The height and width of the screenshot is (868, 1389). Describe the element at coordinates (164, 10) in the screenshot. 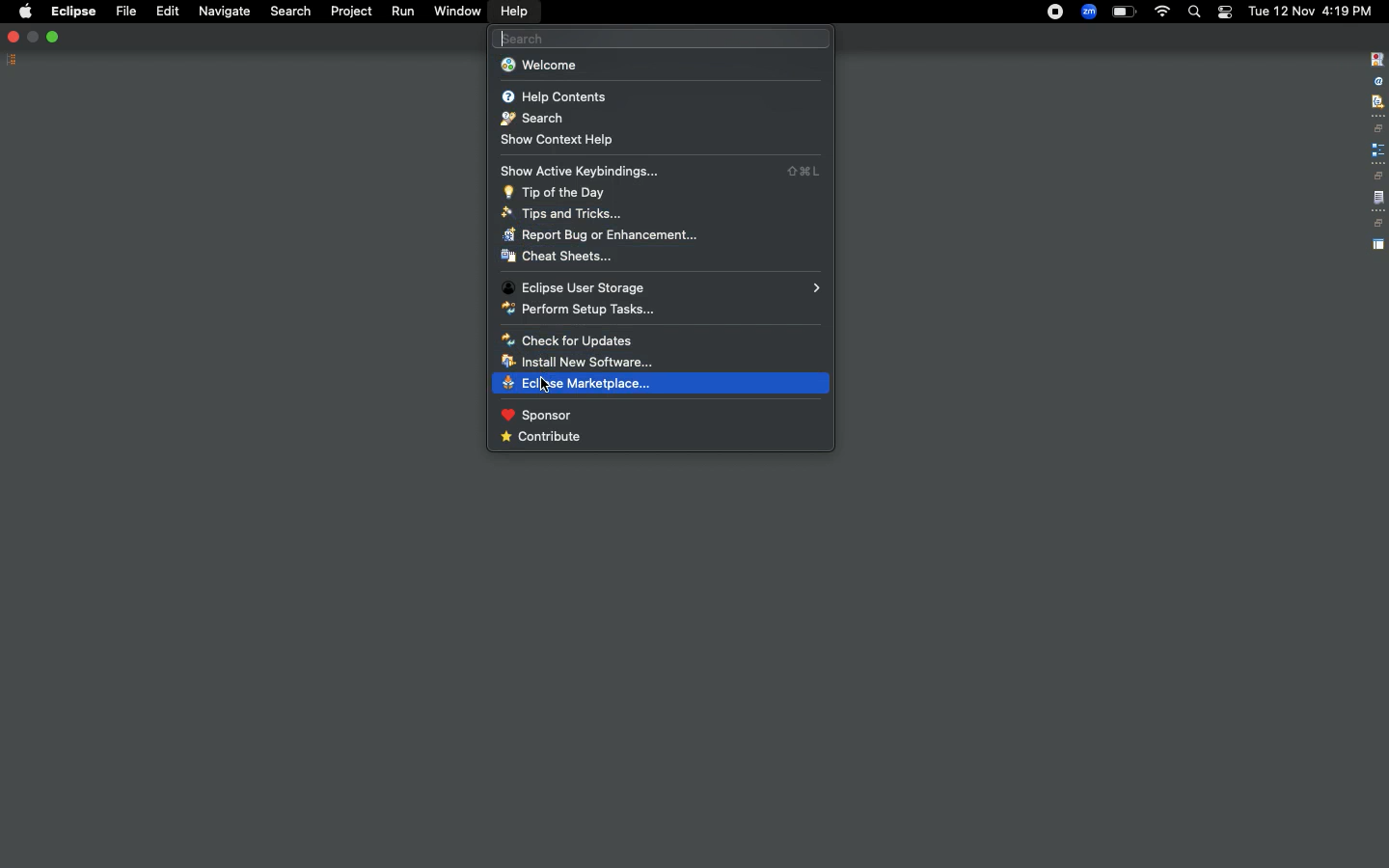

I see `Edit` at that location.